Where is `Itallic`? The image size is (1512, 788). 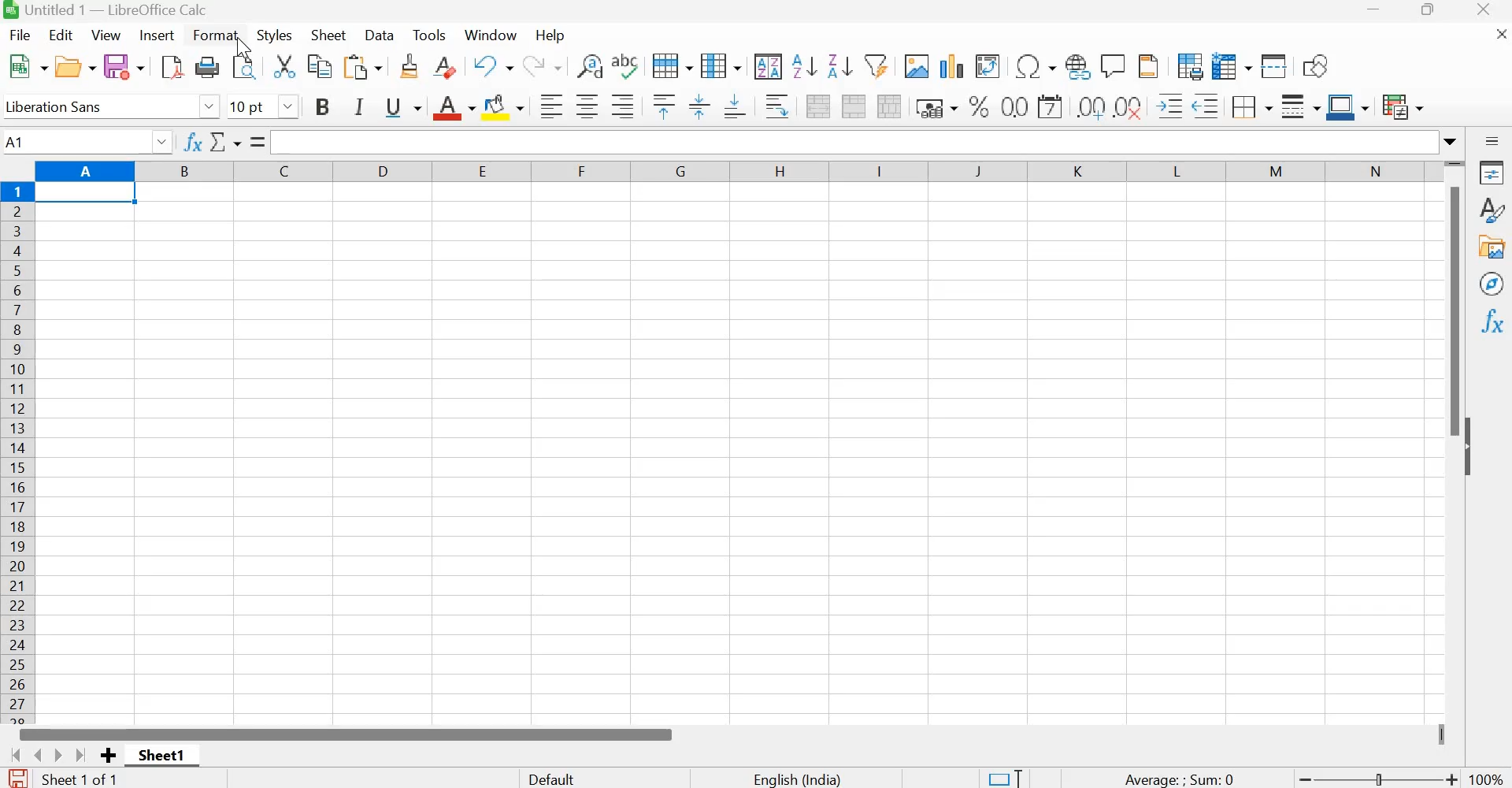 Itallic is located at coordinates (360, 108).